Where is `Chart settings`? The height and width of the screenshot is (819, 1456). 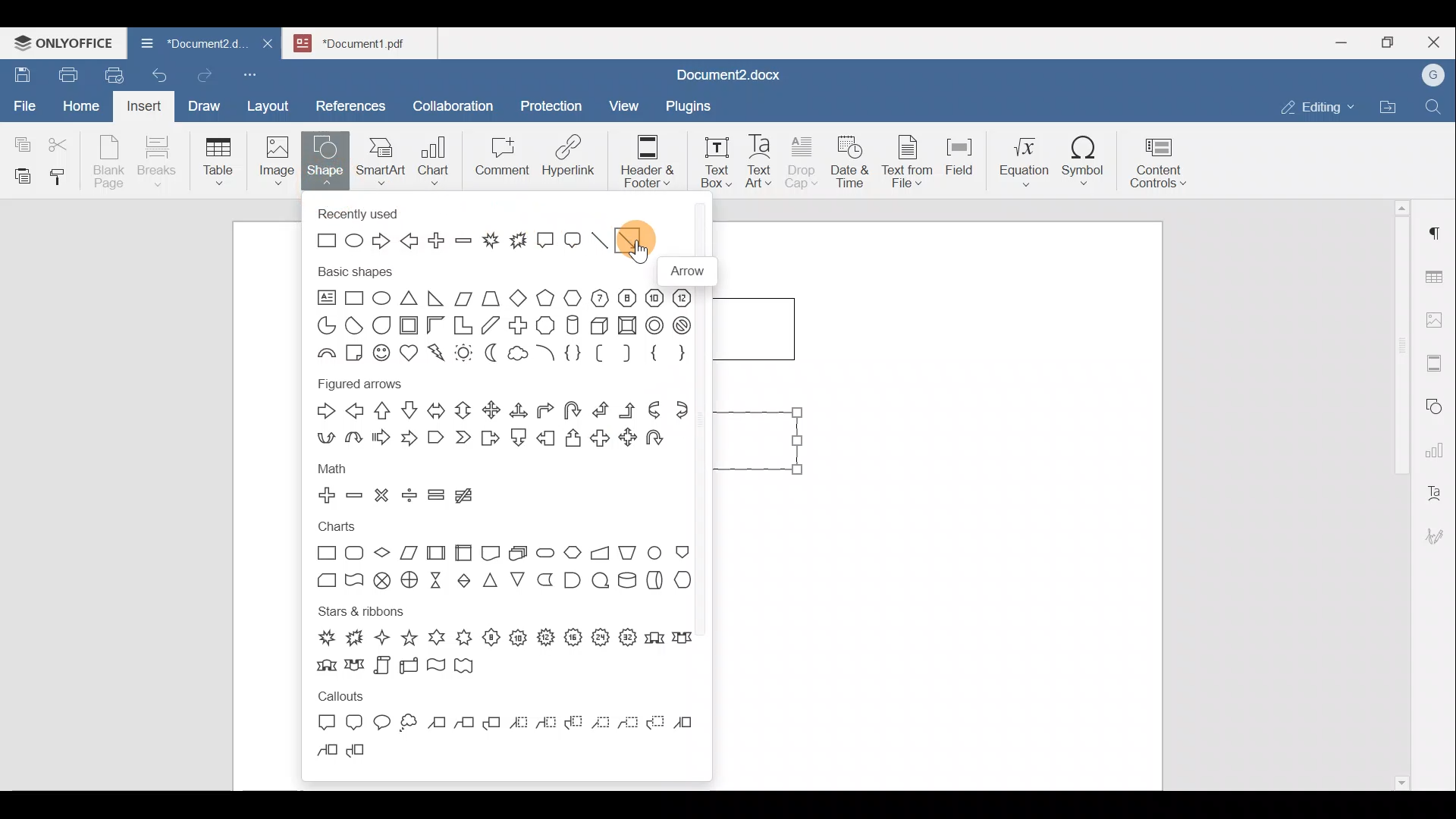 Chart settings is located at coordinates (1438, 444).